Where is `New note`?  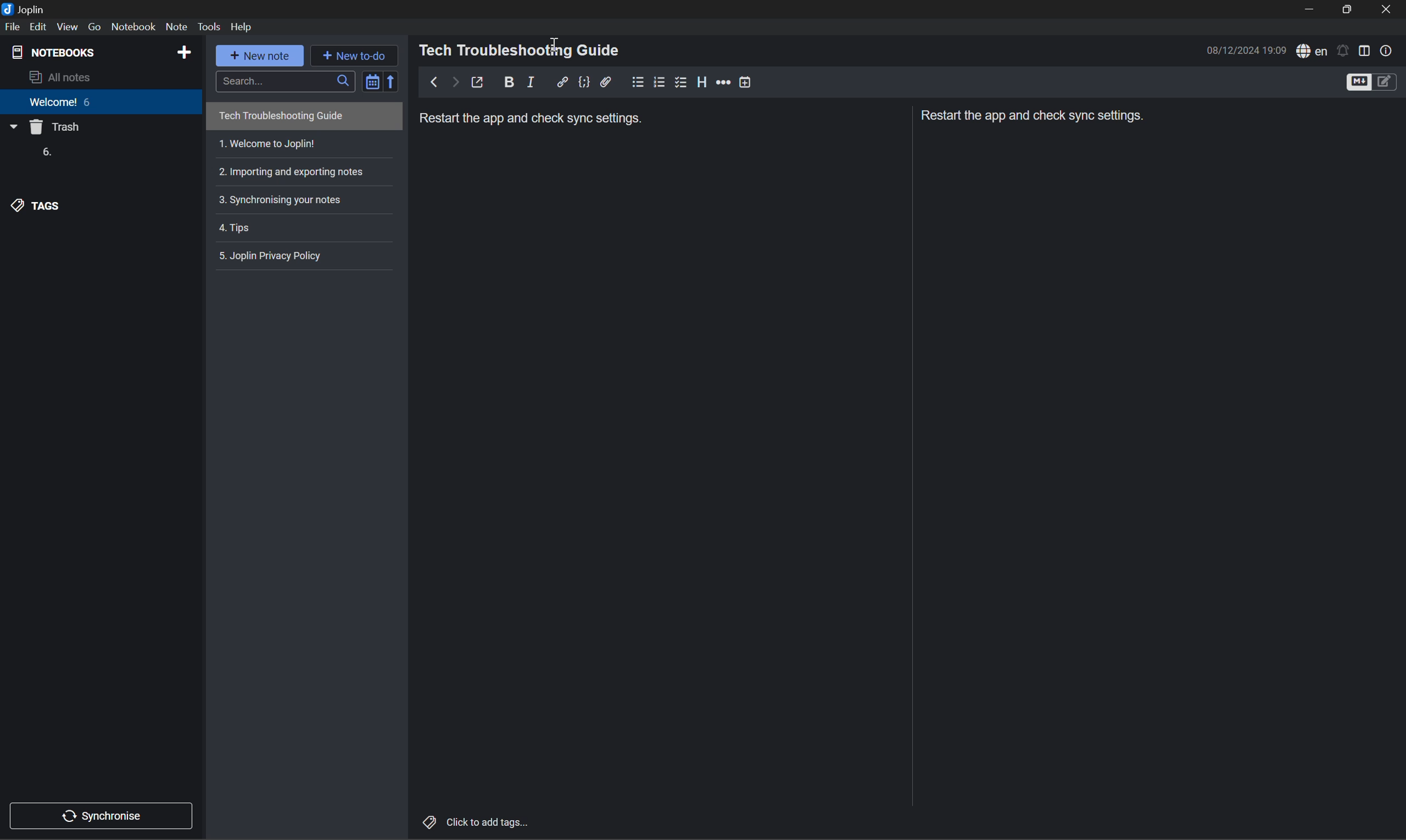 New note is located at coordinates (263, 57).